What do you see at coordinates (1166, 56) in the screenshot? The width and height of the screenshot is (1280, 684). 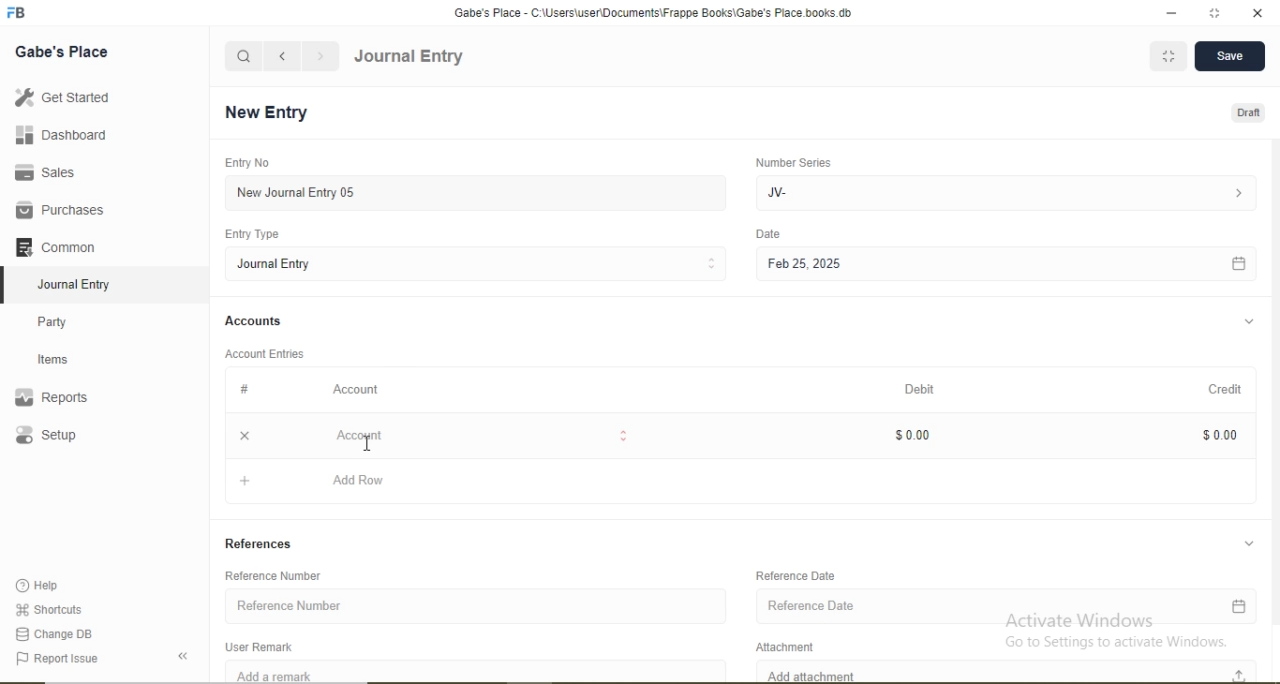 I see `MINIMIZE WINDOW` at bounding box center [1166, 56].